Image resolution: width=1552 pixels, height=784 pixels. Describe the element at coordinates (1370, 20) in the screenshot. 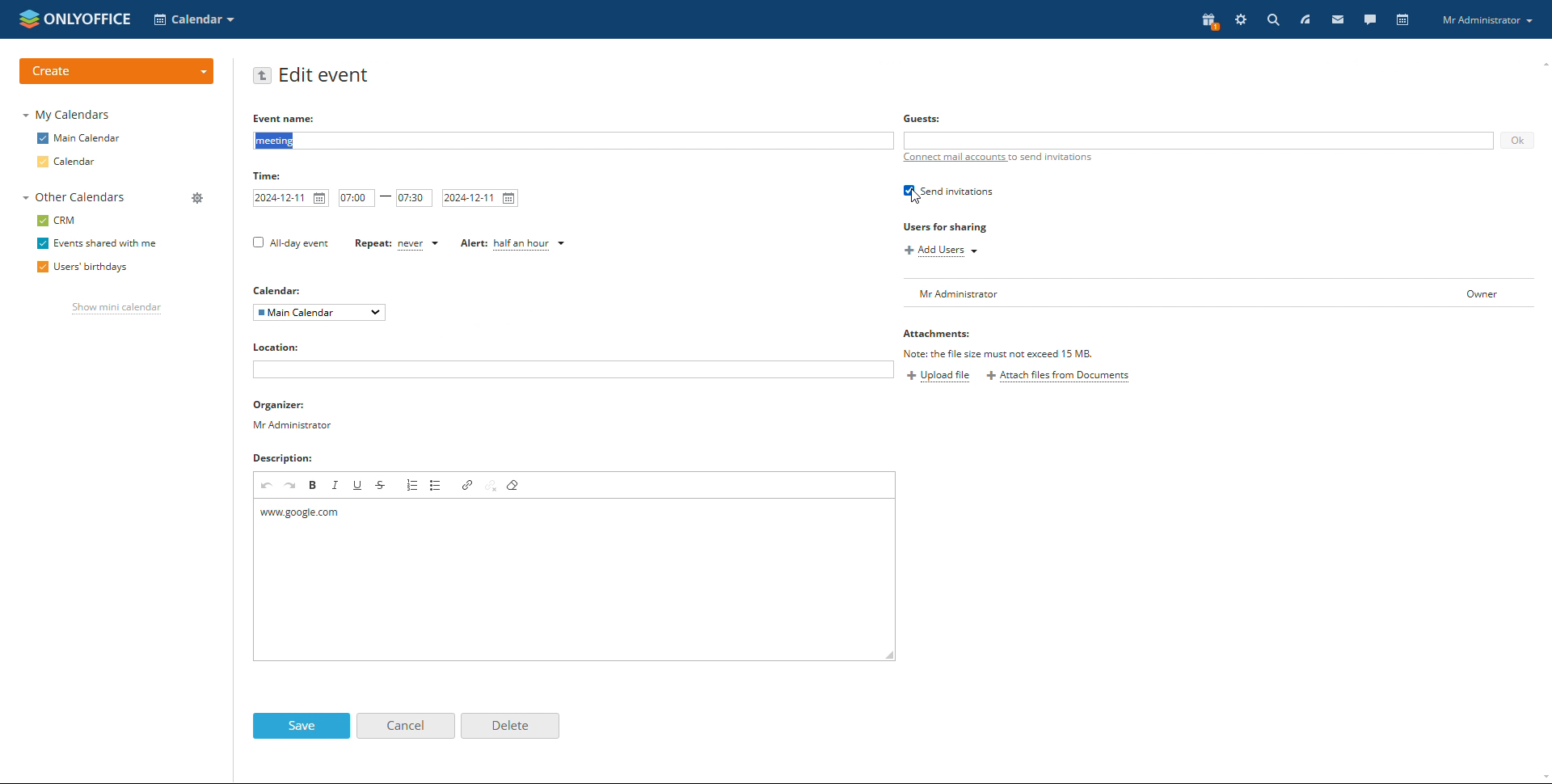

I see `talk` at that location.